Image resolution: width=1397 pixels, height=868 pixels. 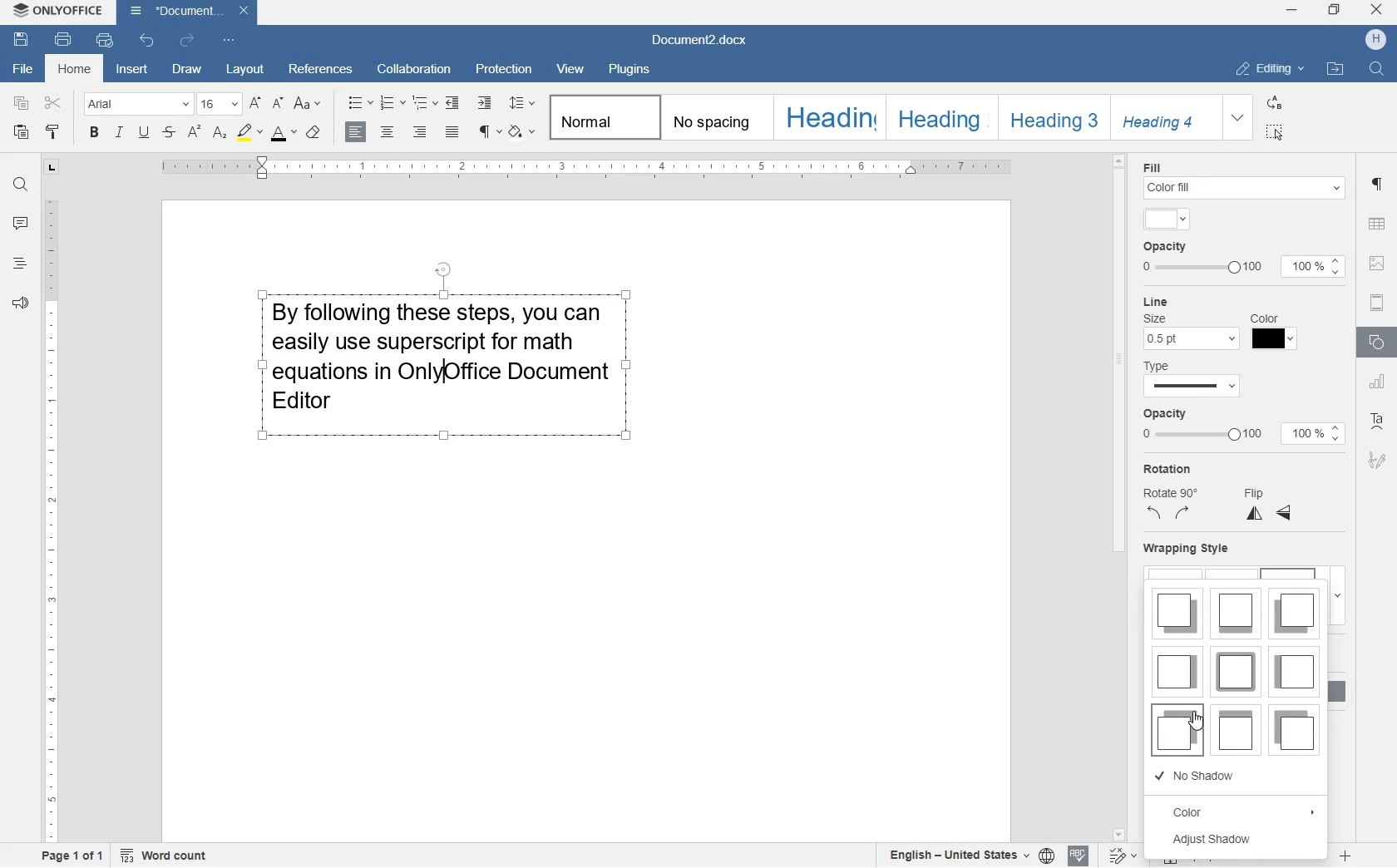 I want to click on home, so click(x=72, y=68).